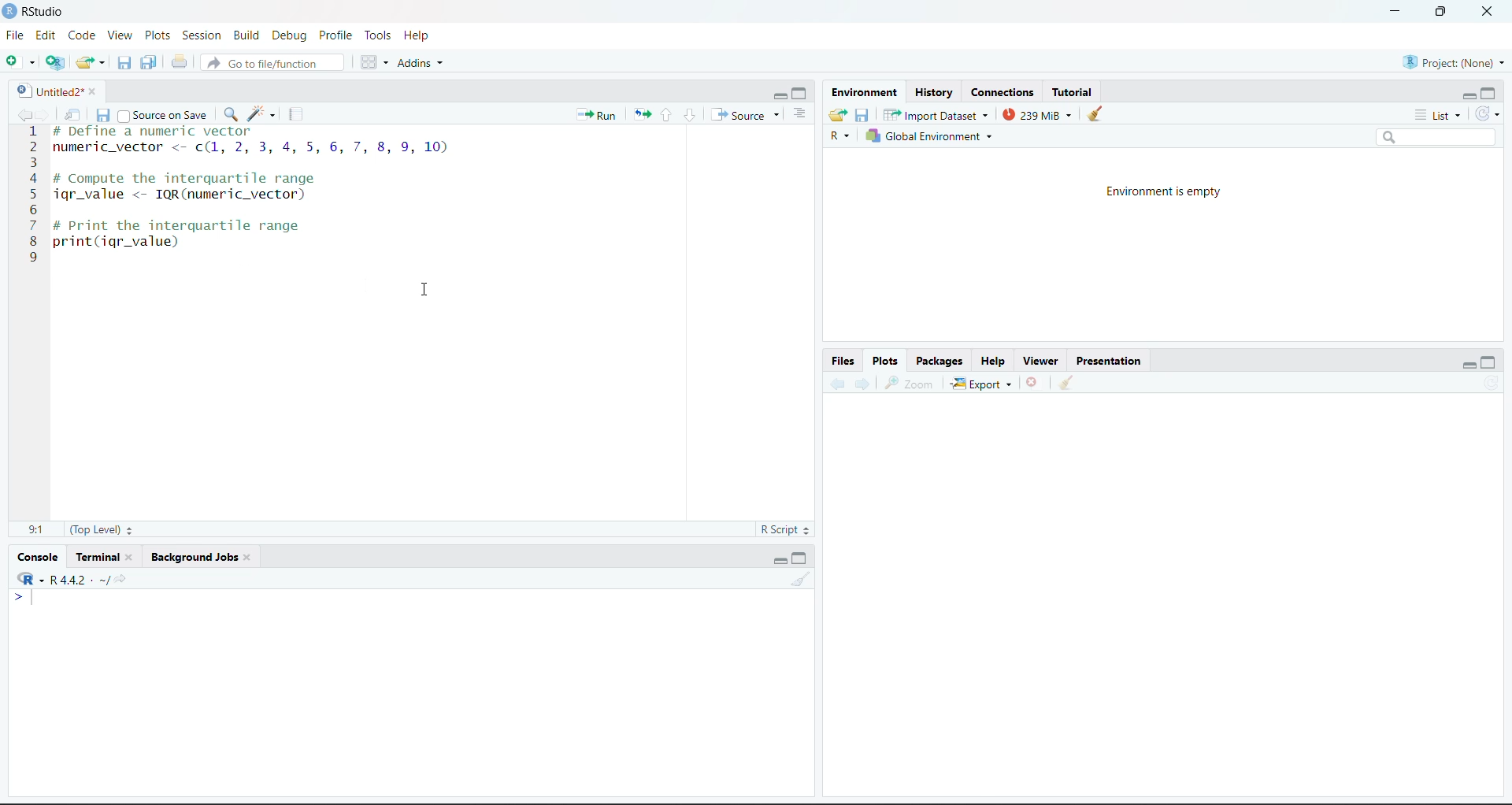 The height and width of the screenshot is (805, 1512). Describe the element at coordinates (103, 114) in the screenshot. I see `Save current document (Ctrl + S)` at that location.